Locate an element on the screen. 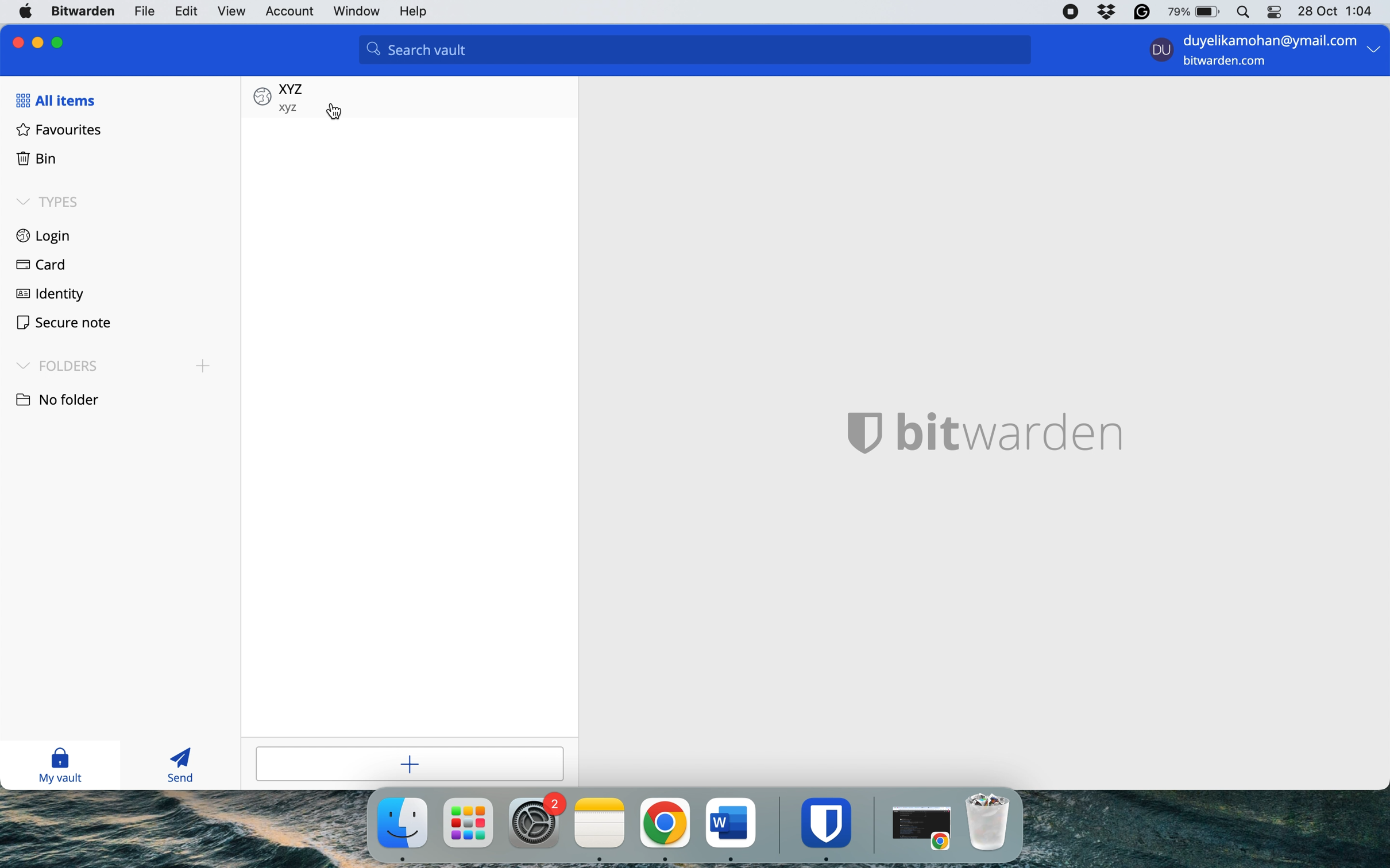  bitwarden logo is located at coordinates (987, 440).